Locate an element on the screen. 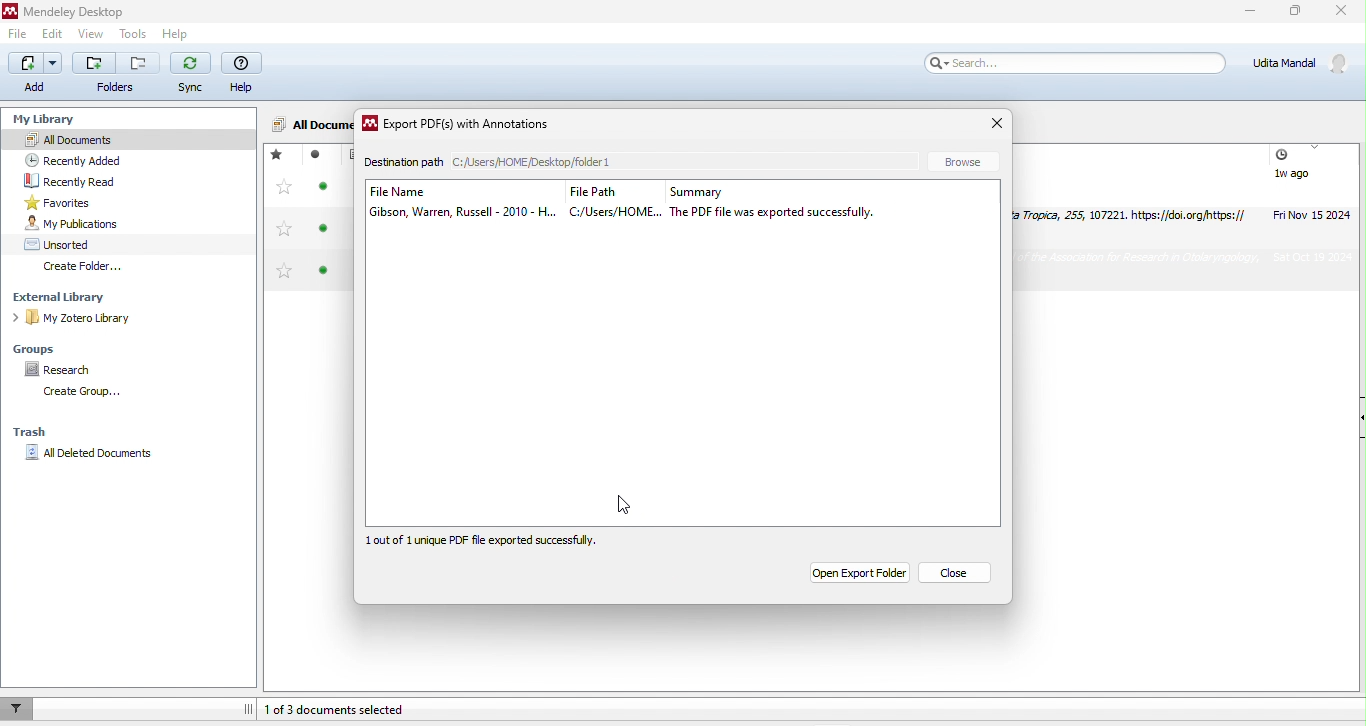  my library is located at coordinates (53, 120).